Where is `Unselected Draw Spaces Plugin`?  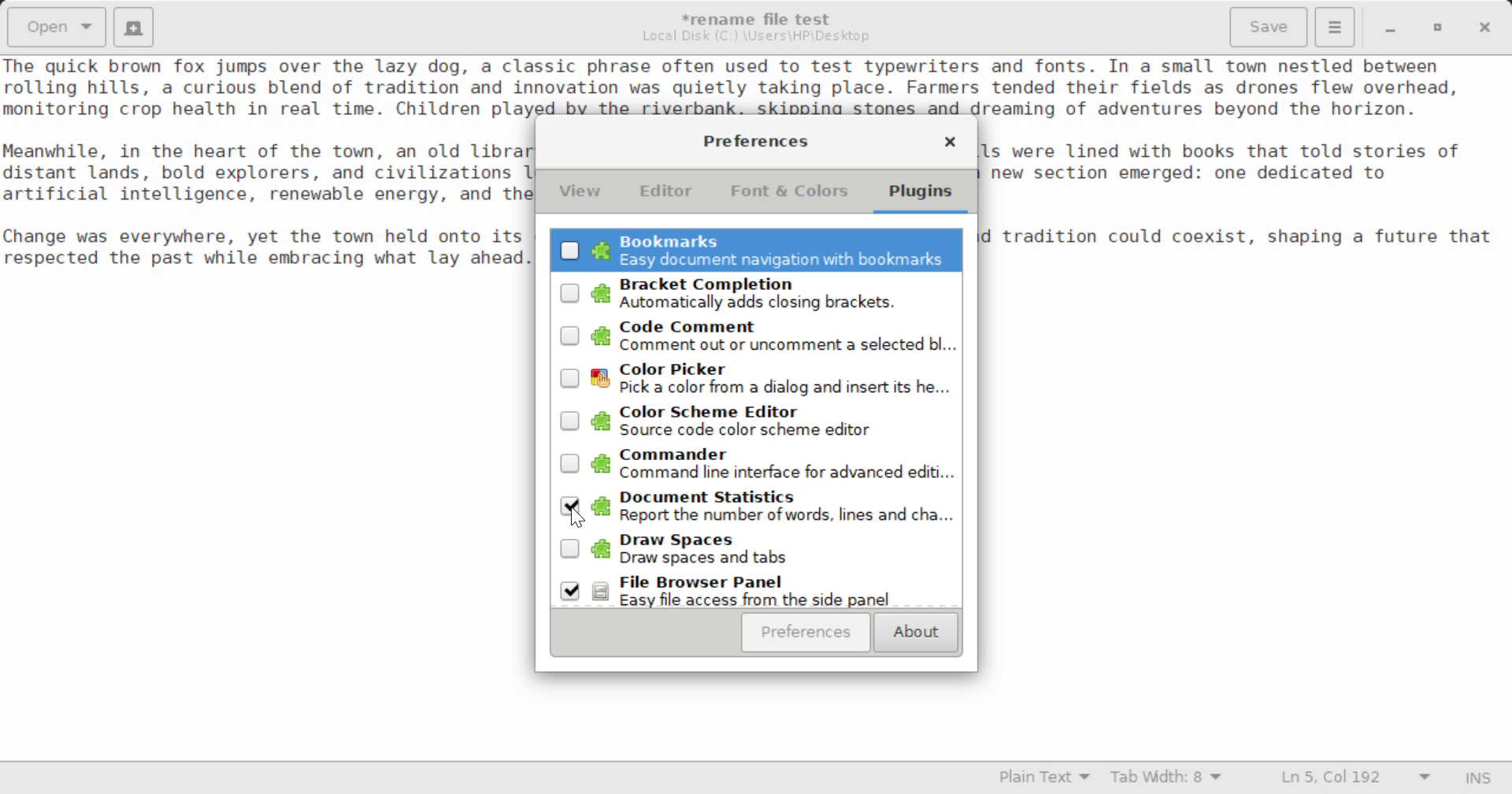
Unselected Draw Spaces Plugin is located at coordinates (758, 551).